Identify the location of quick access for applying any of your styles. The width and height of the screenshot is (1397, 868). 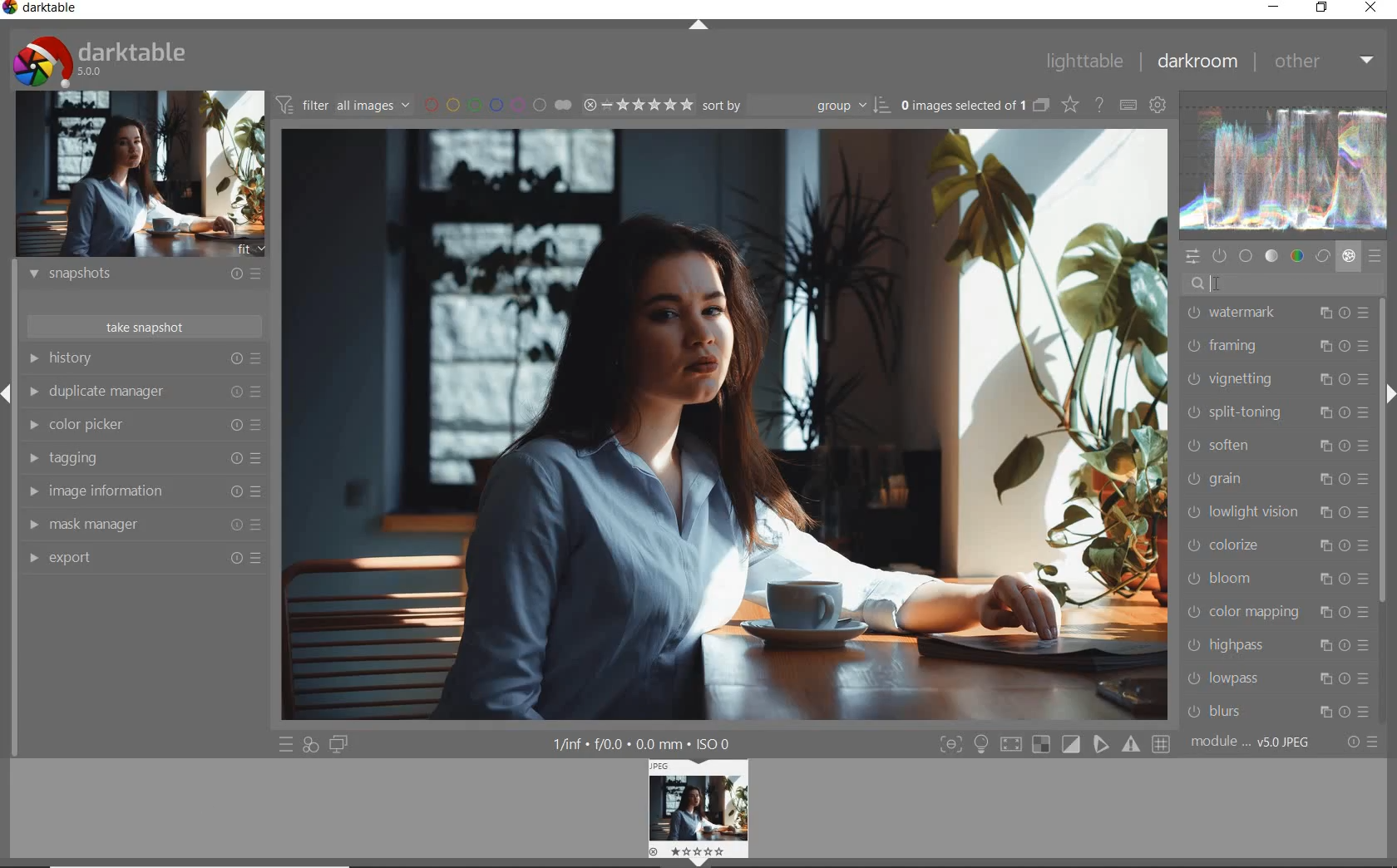
(309, 746).